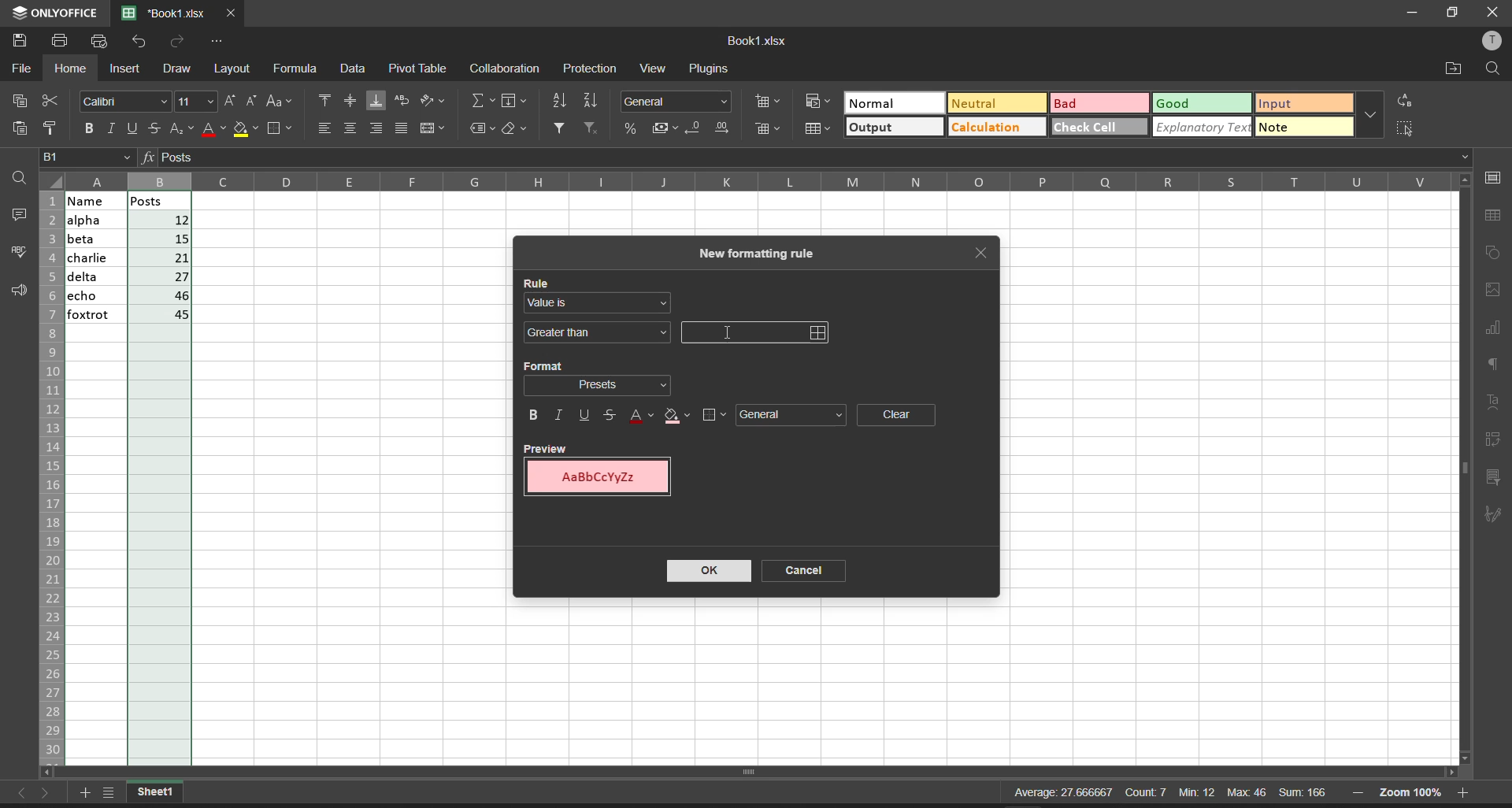 Image resolution: width=1512 pixels, height=808 pixels. I want to click on summation, so click(476, 101).